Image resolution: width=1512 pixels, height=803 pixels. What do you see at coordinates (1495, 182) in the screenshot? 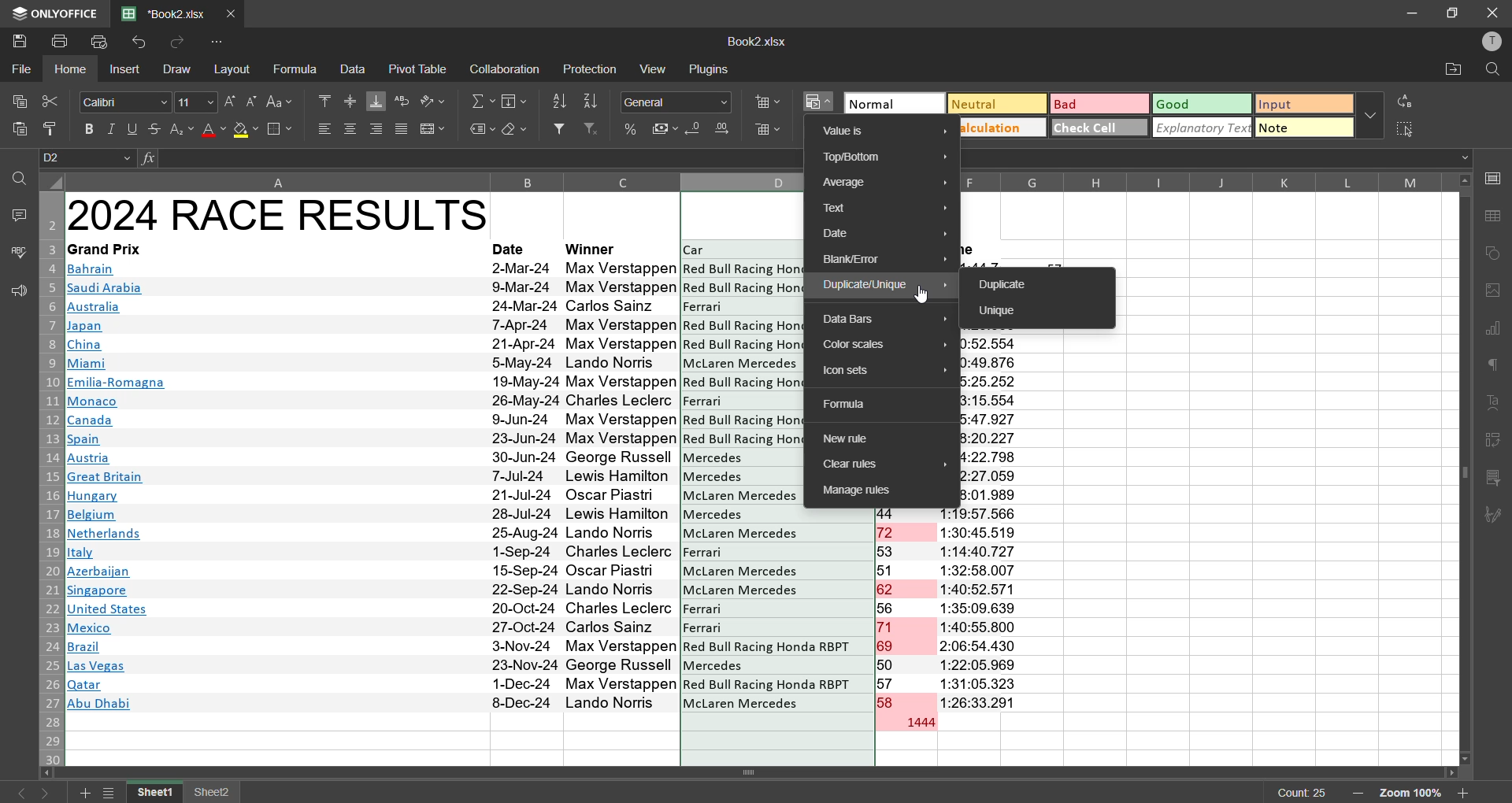
I see `call settings` at bounding box center [1495, 182].